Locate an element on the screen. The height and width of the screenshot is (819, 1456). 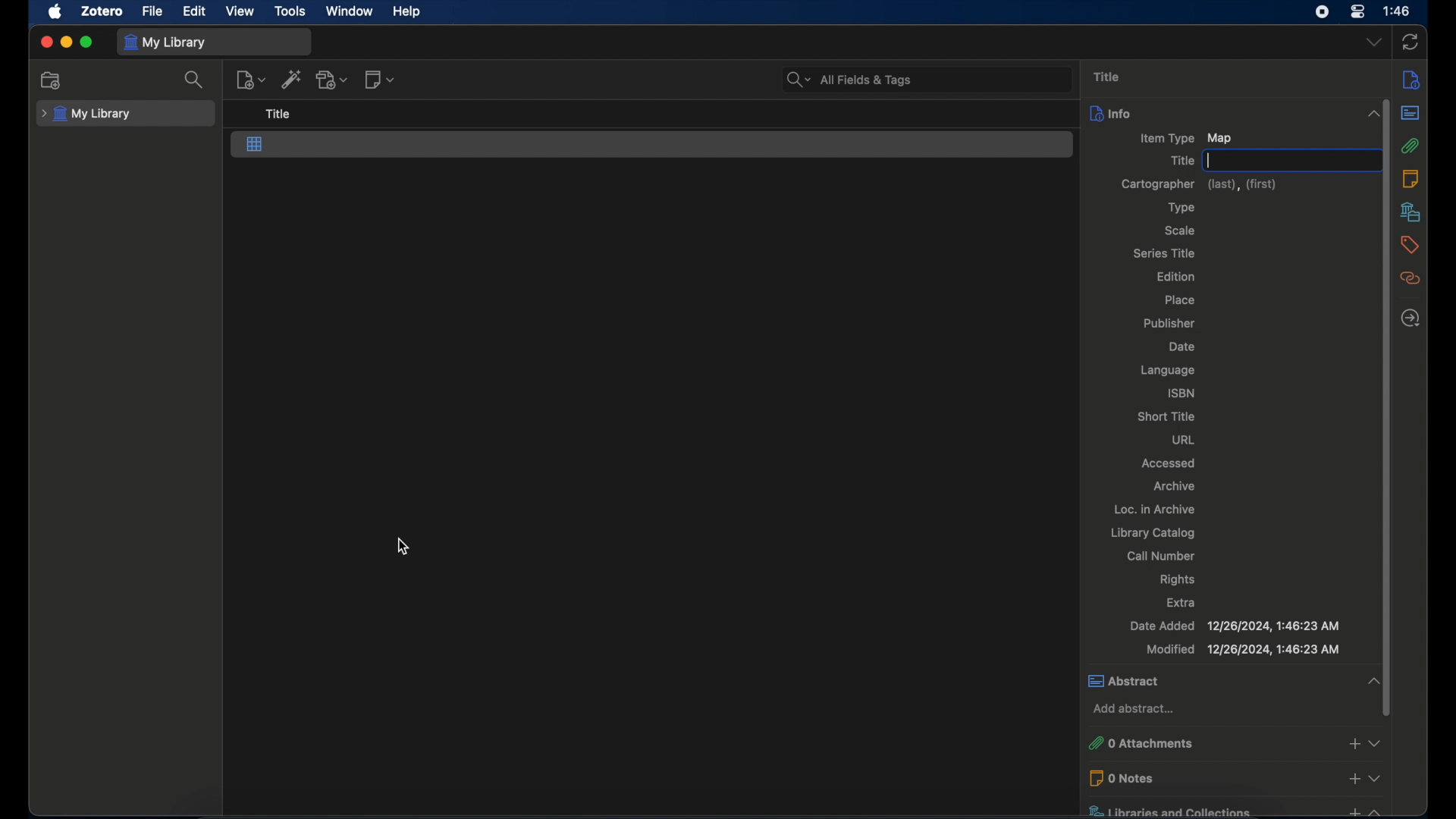
add is located at coordinates (1351, 810).